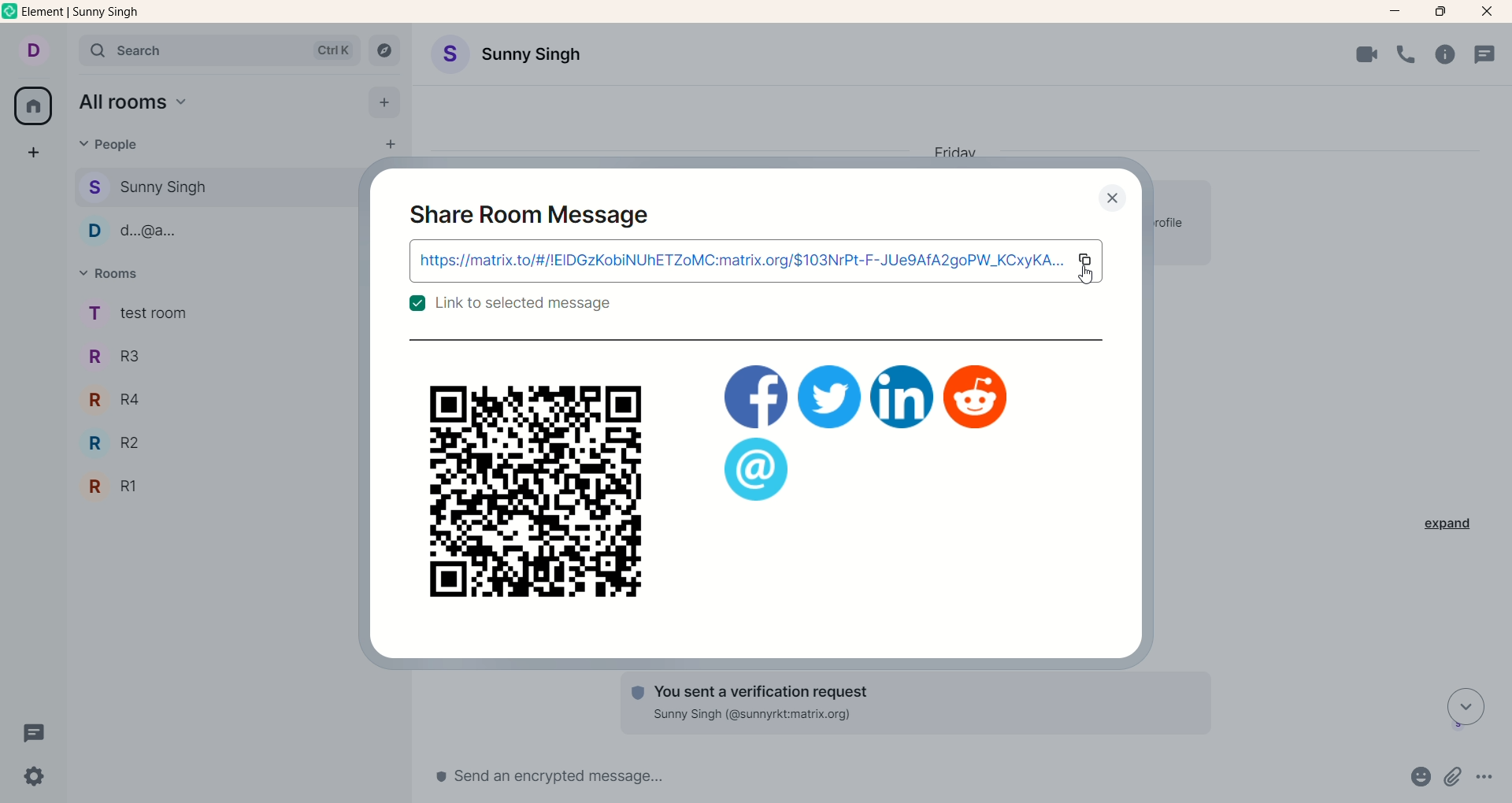 Image resolution: width=1512 pixels, height=803 pixels. What do you see at coordinates (40, 777) in the screenshot?
I see `settings` at bounding box center [40, 777].